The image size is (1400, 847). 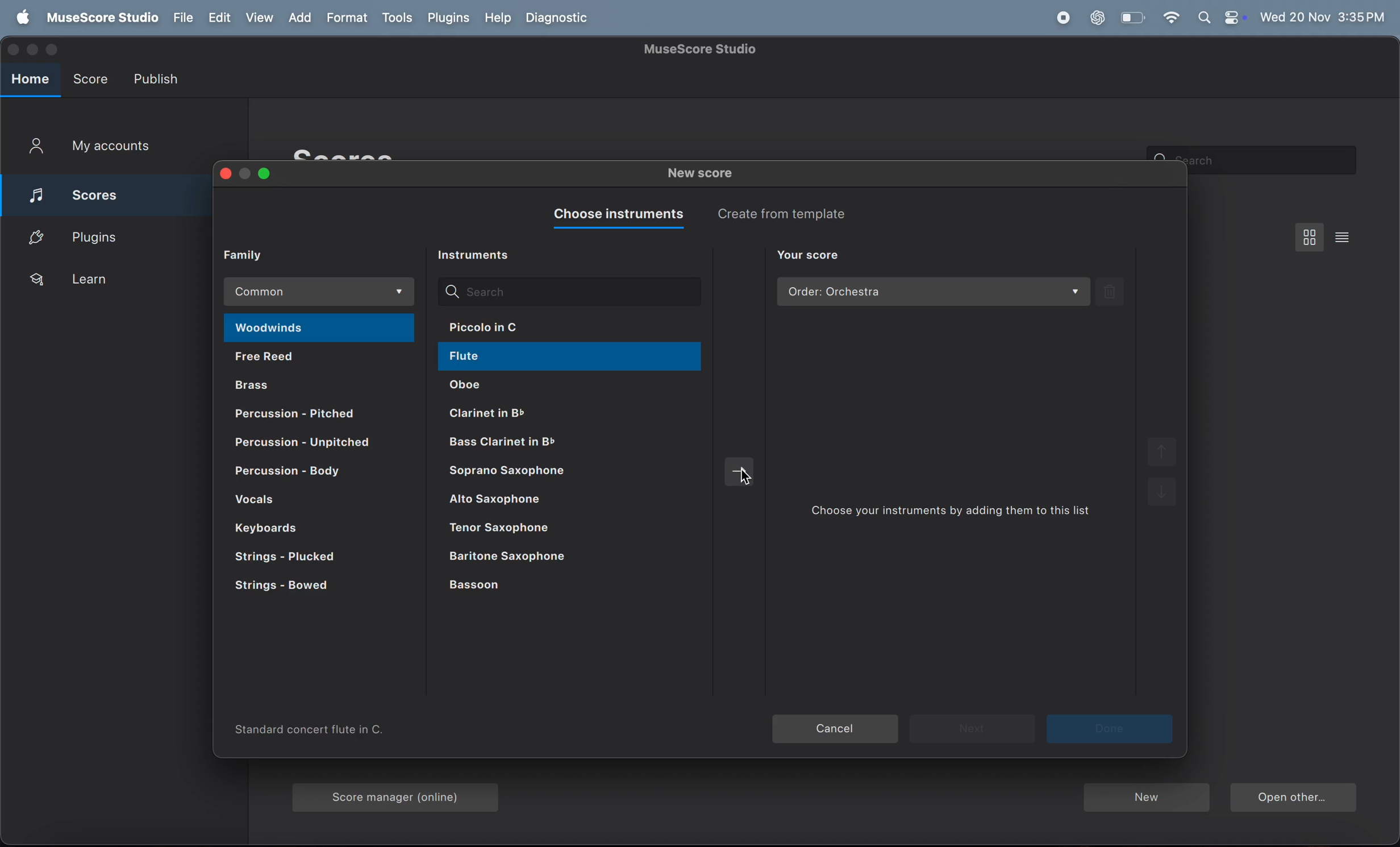 I want to click on saprno saxophone, so click(x=558, y=474).